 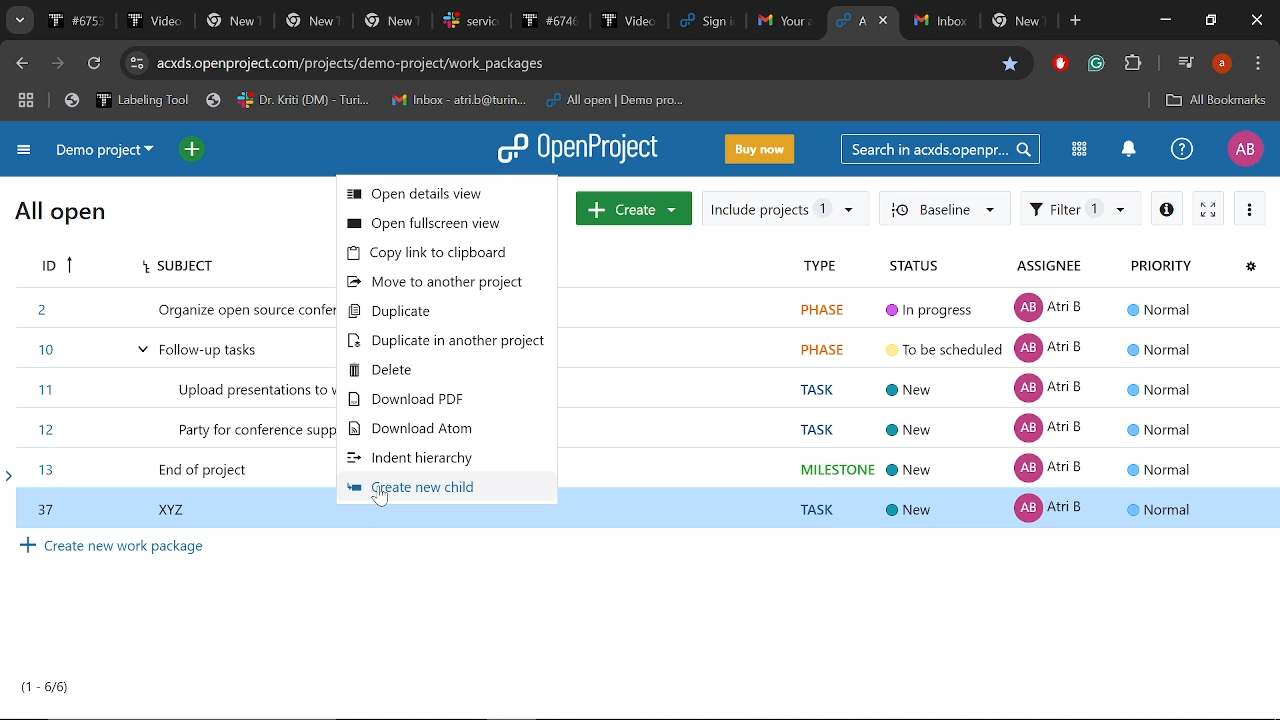 I want to click on Close, so click(x=1258, y=21).